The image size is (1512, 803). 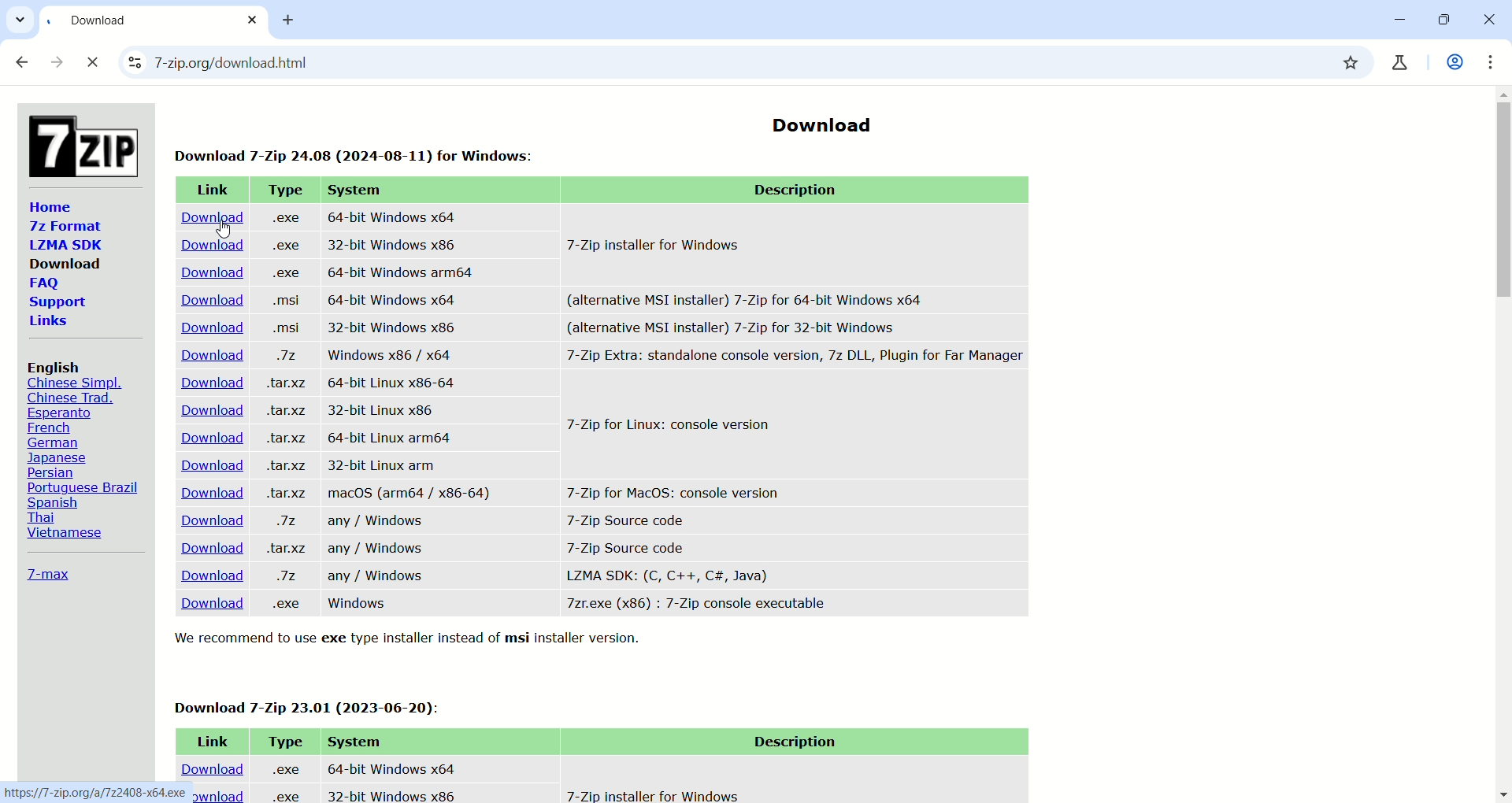 What do you see at coordinates (23, 63) in the screenshot?
I see `go baack` at bounding box center [23, 63].